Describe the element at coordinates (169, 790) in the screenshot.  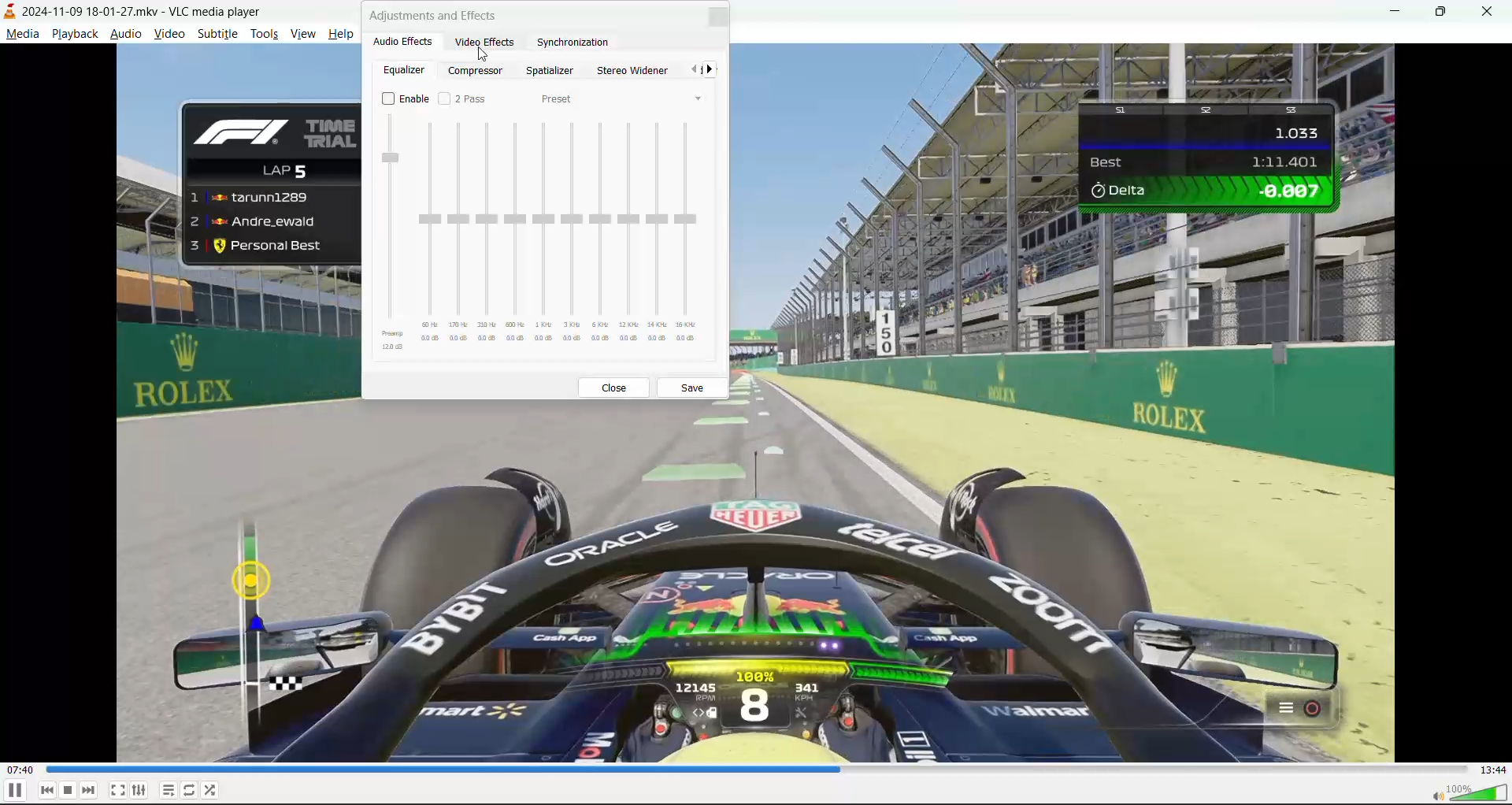
I see `playlist` at that location.